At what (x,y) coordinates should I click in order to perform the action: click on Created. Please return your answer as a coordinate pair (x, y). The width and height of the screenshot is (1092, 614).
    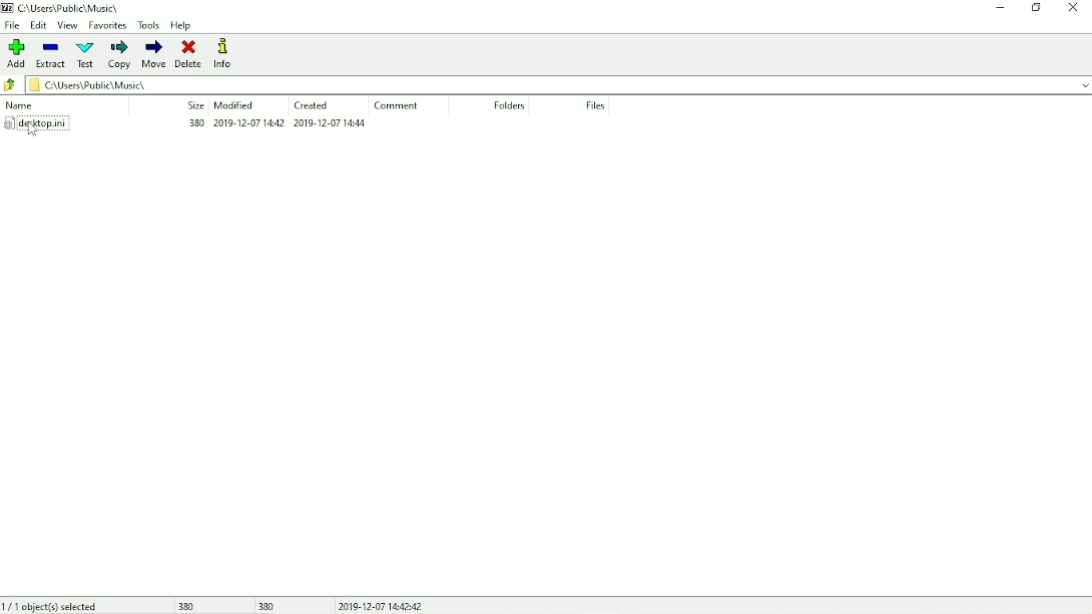
    Looking at the image, I should click on (312, 106).